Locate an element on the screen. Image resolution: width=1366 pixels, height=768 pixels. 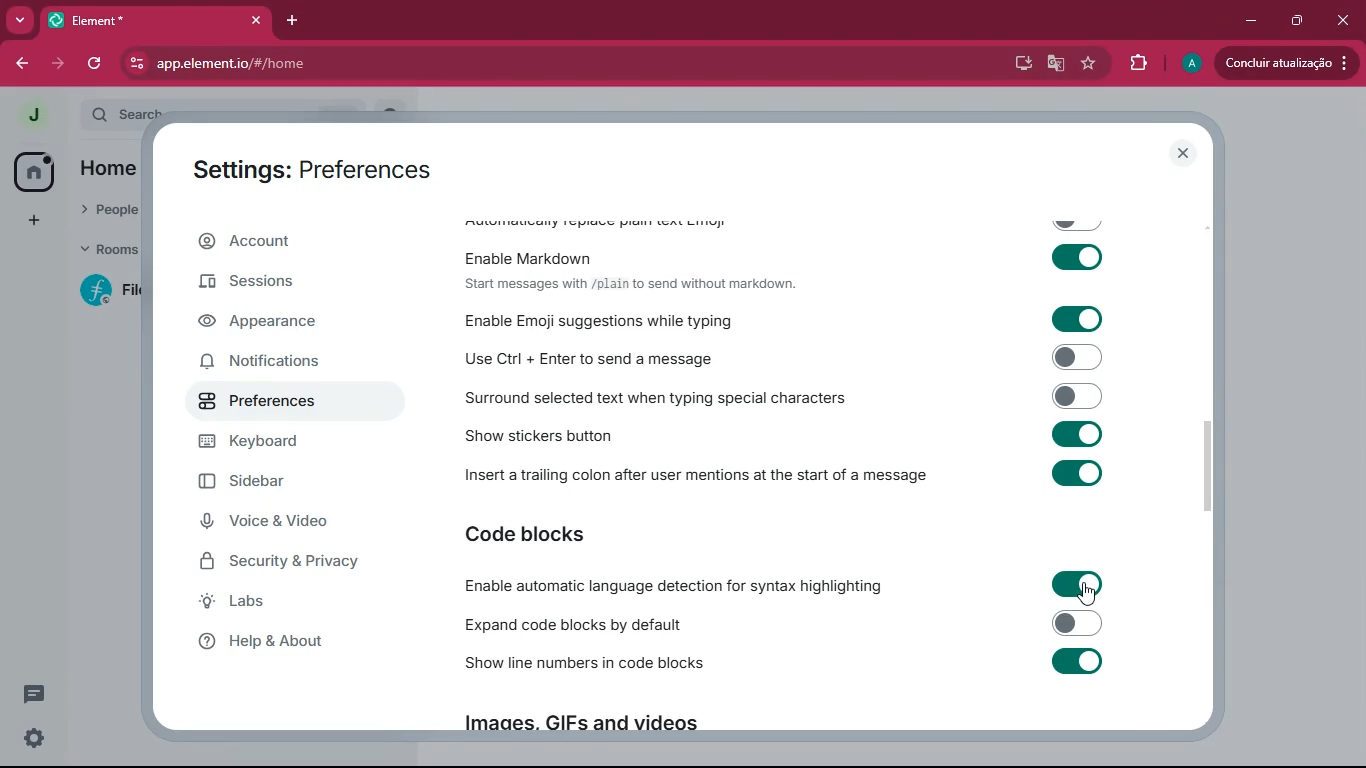
preferences is located at coordinates (286, 402).